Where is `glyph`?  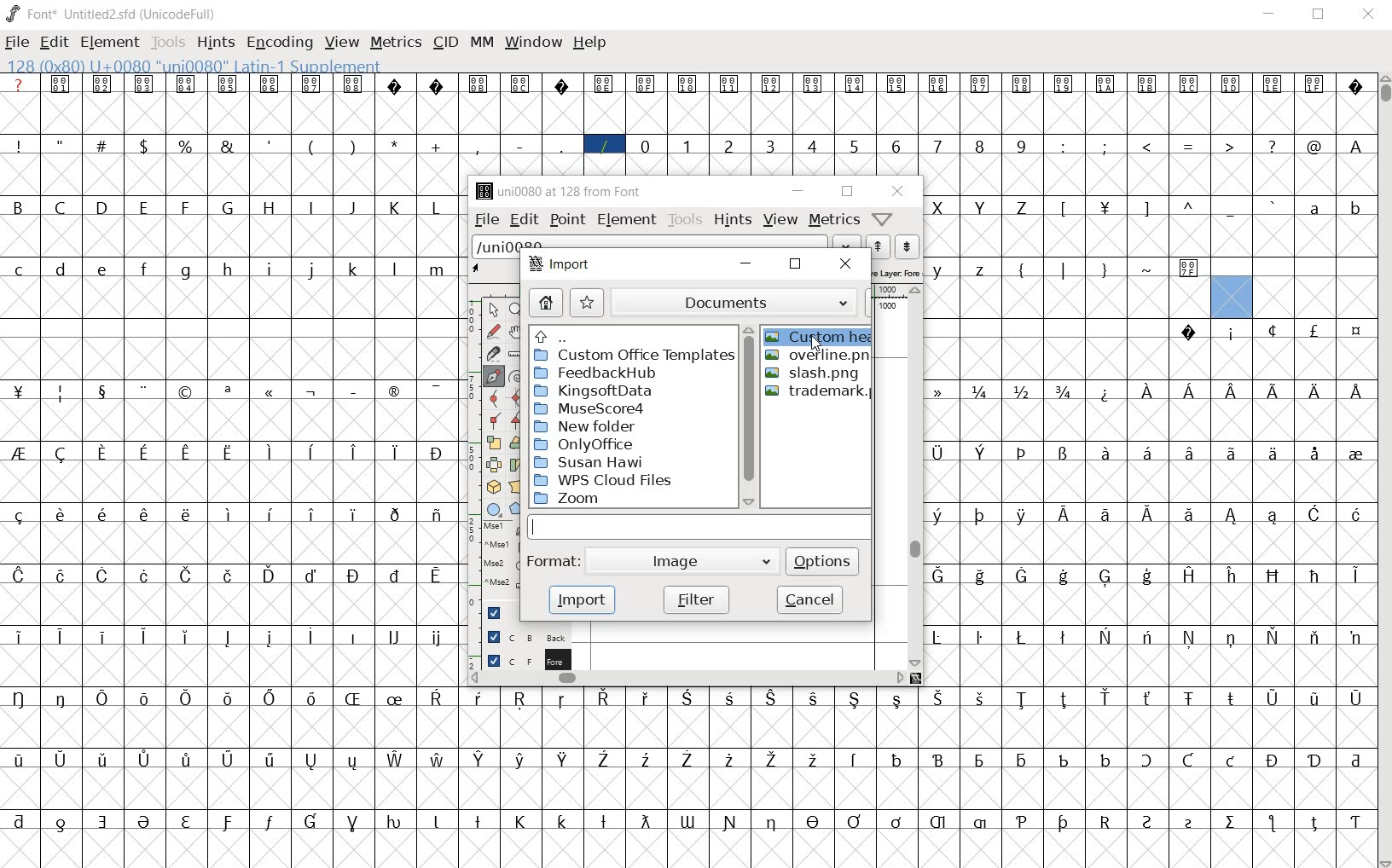 glyph is located at coordinates (437, 576).